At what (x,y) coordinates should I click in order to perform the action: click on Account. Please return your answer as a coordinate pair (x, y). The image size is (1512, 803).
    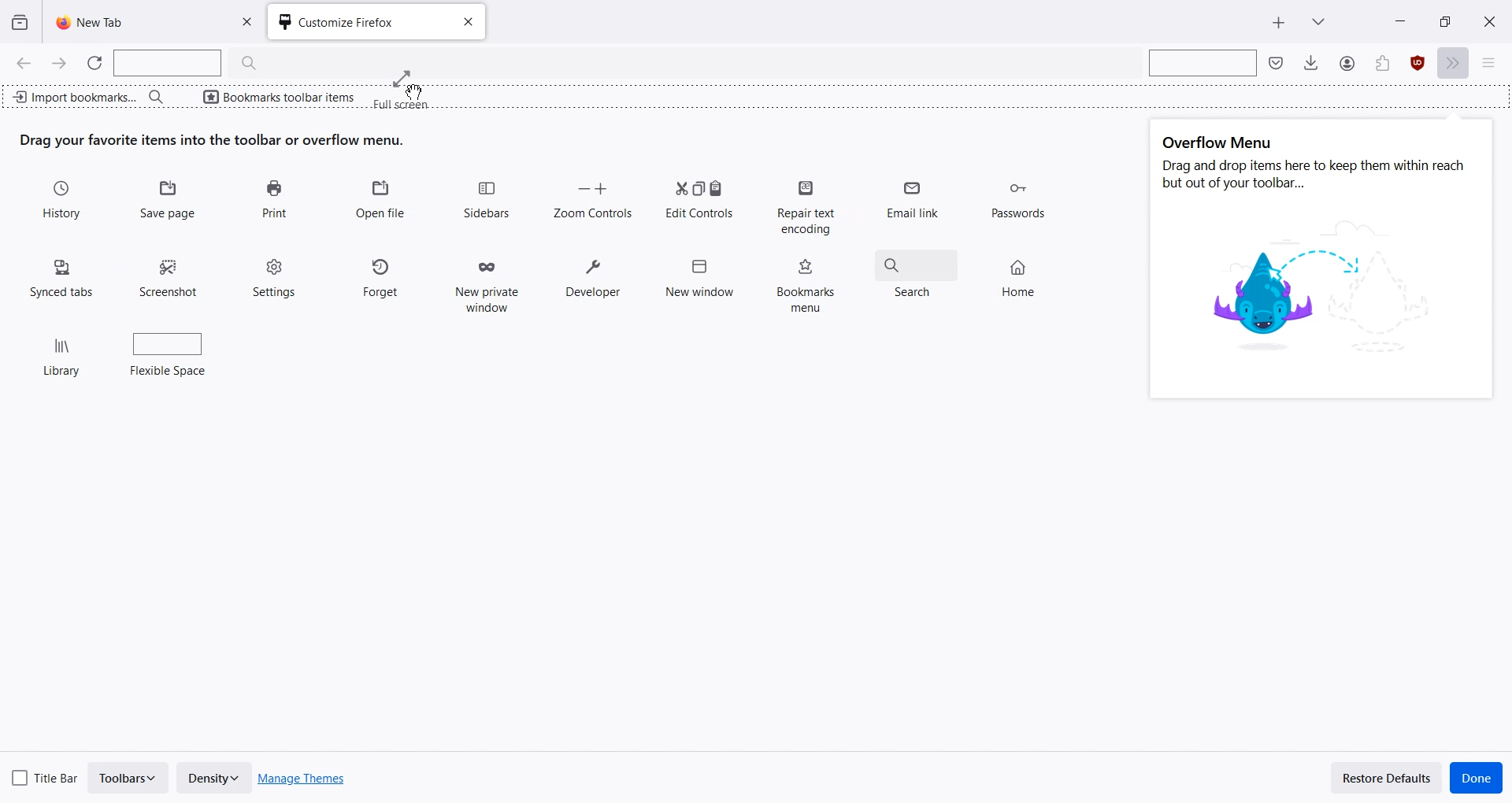
    Looking at the image, I should click on (1382, 64).